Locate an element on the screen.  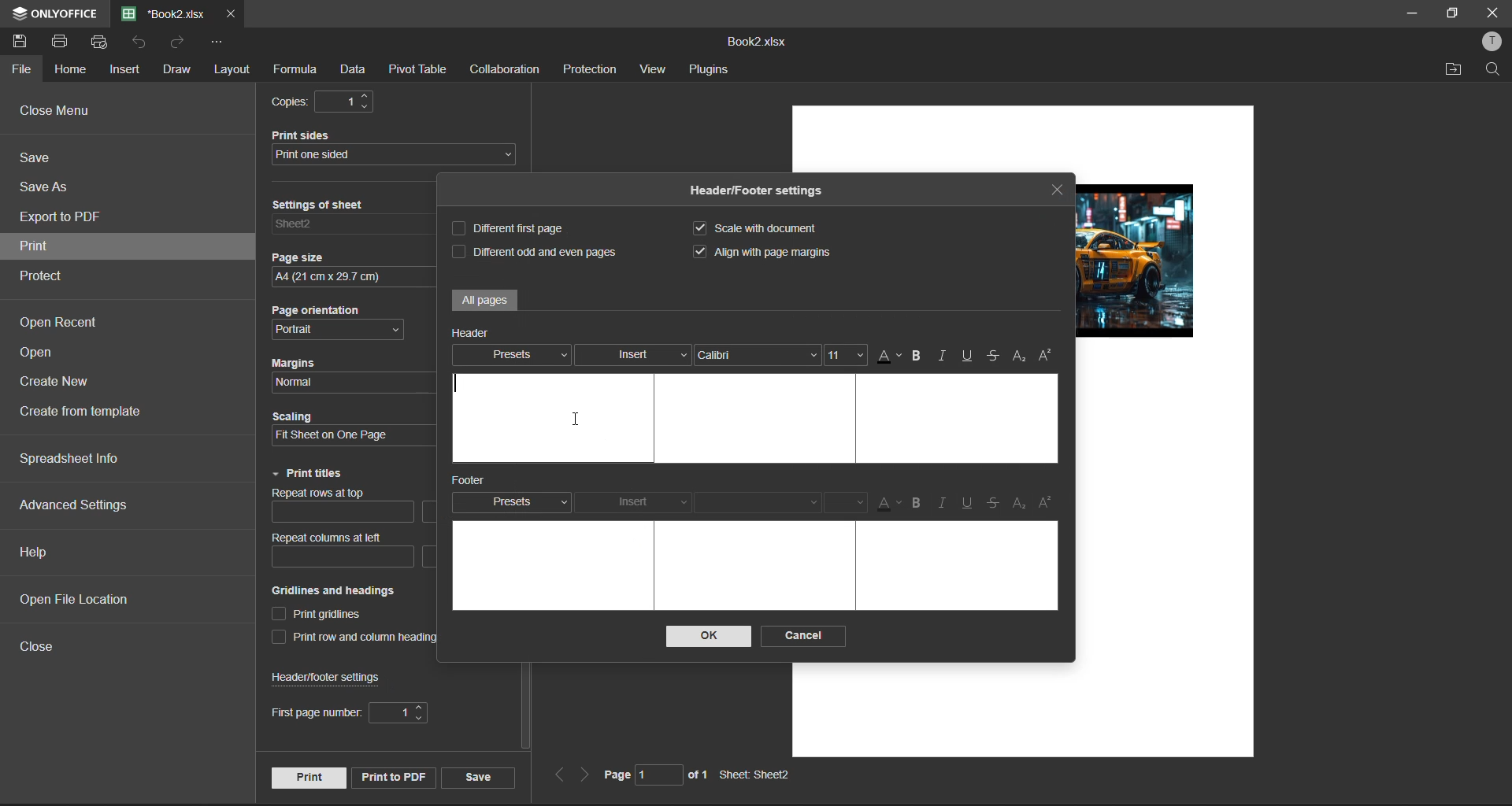
first page number is located at coordinates (349, 714).